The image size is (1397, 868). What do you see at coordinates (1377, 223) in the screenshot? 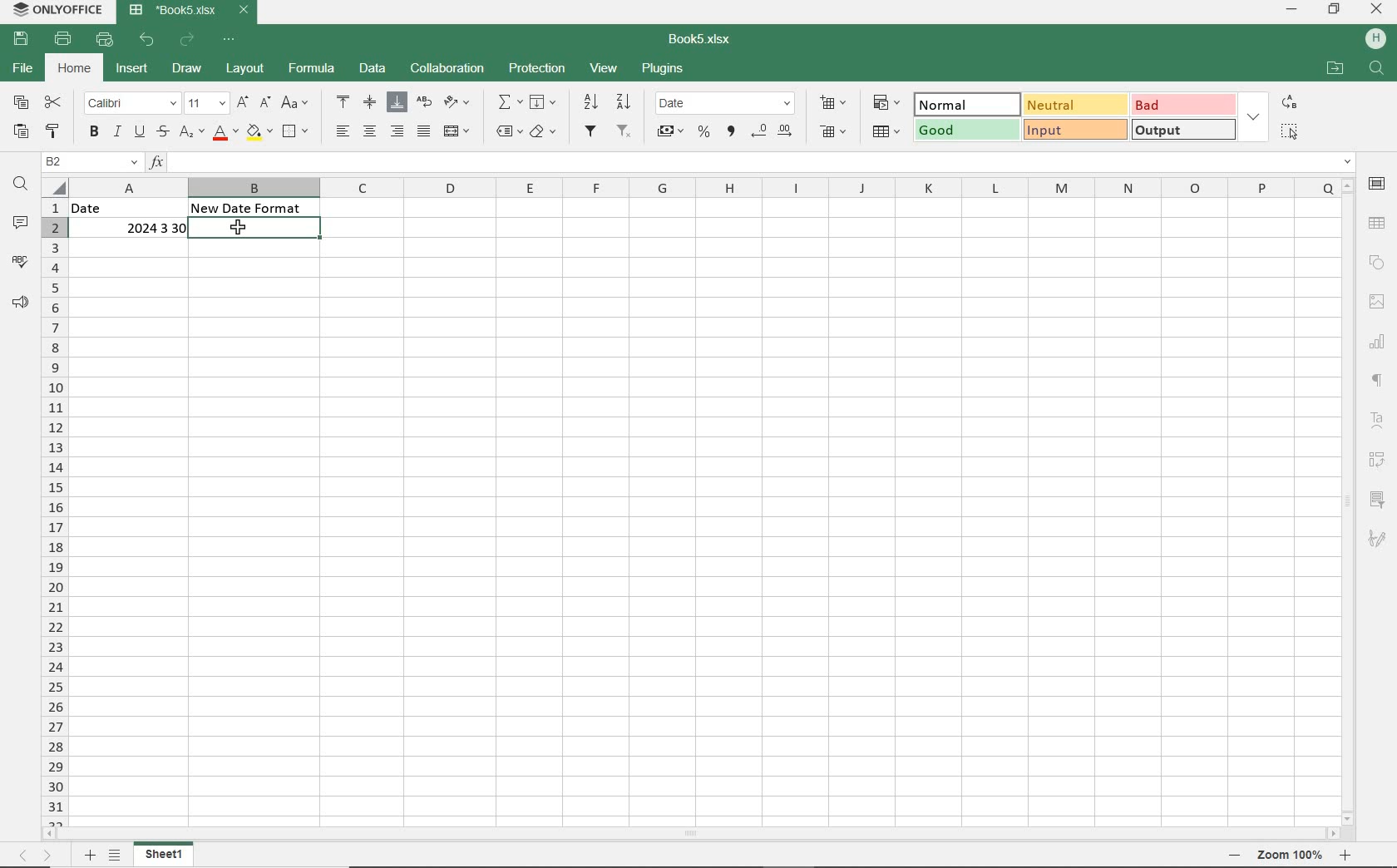
I see `TABLE` at bounding box center [1377, 223].